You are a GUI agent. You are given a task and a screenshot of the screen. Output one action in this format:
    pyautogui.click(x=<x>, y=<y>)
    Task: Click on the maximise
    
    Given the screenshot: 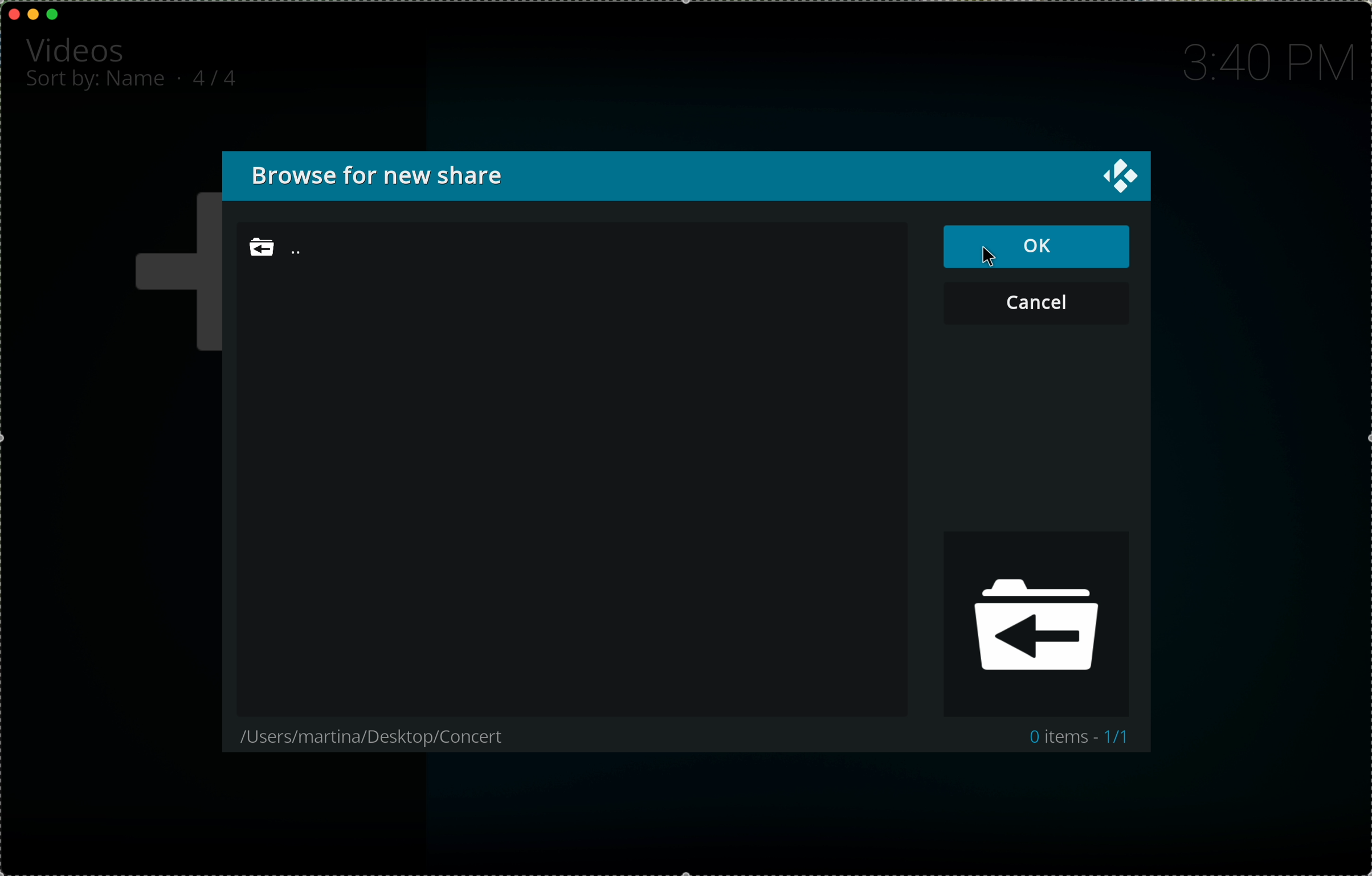 What is the action you would take?
    pyautogui.click(x=54, y=14)
    